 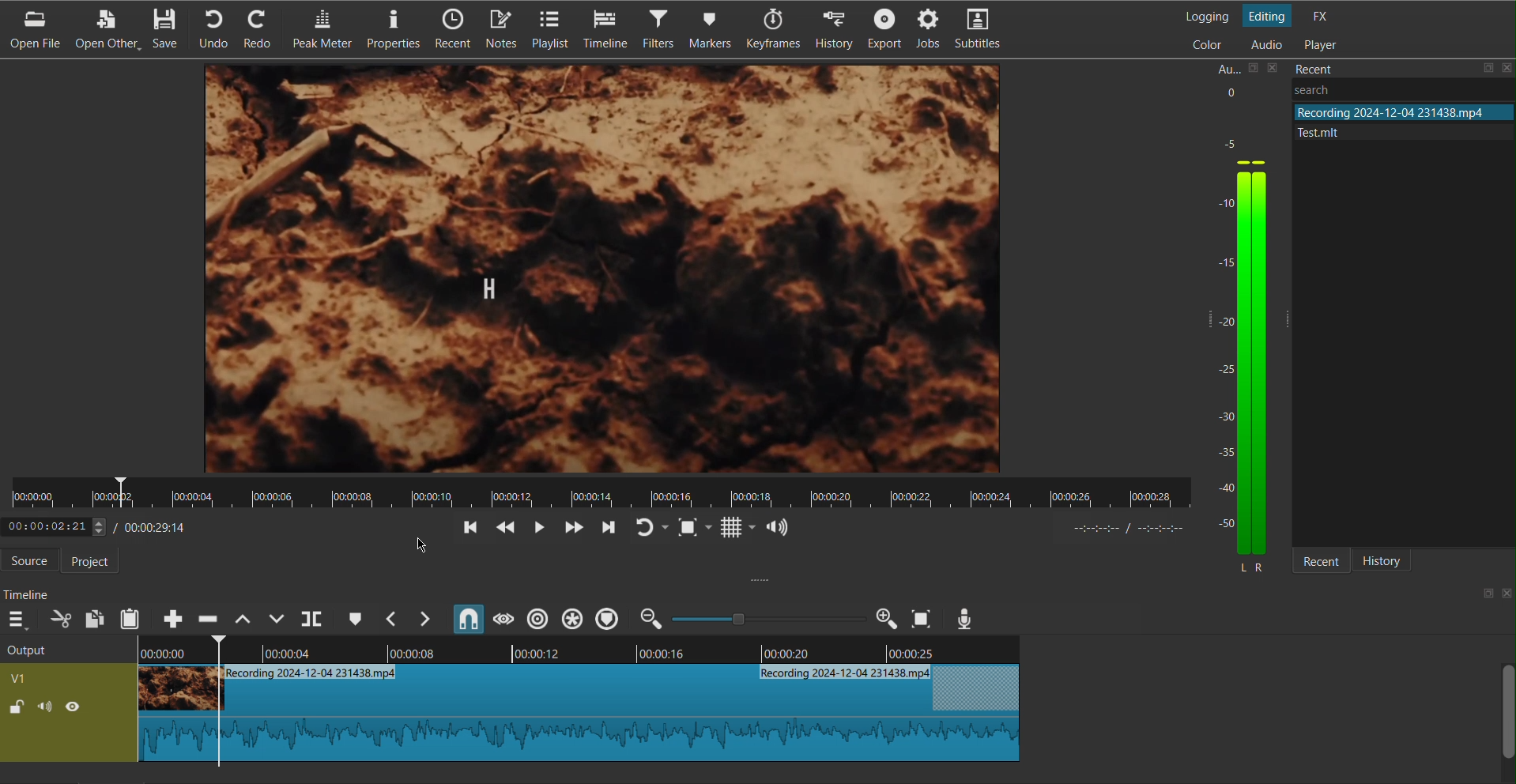 I want to click on Ripple all tracks, so click(x=571, y=618).